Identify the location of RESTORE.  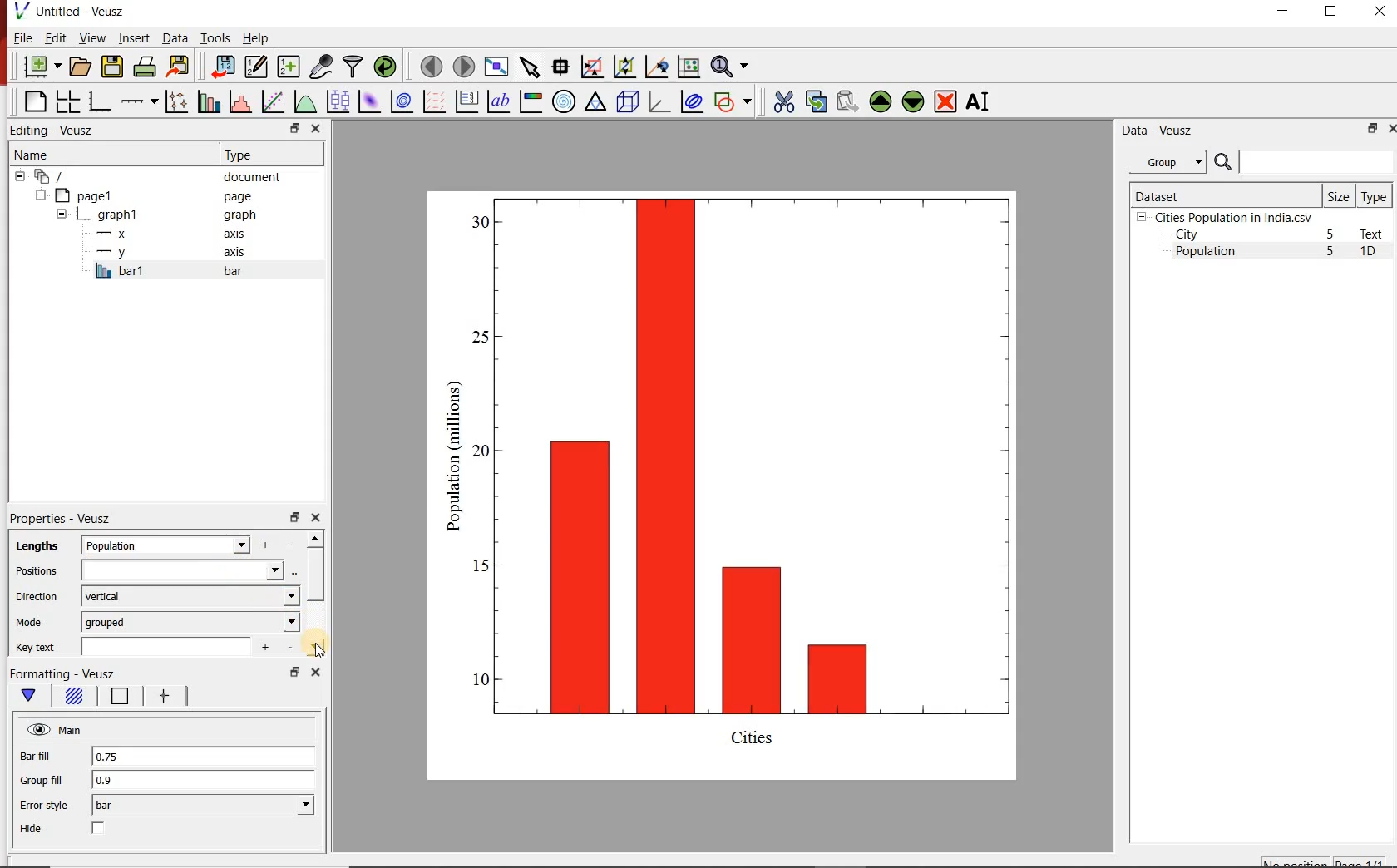
(1331, 12).